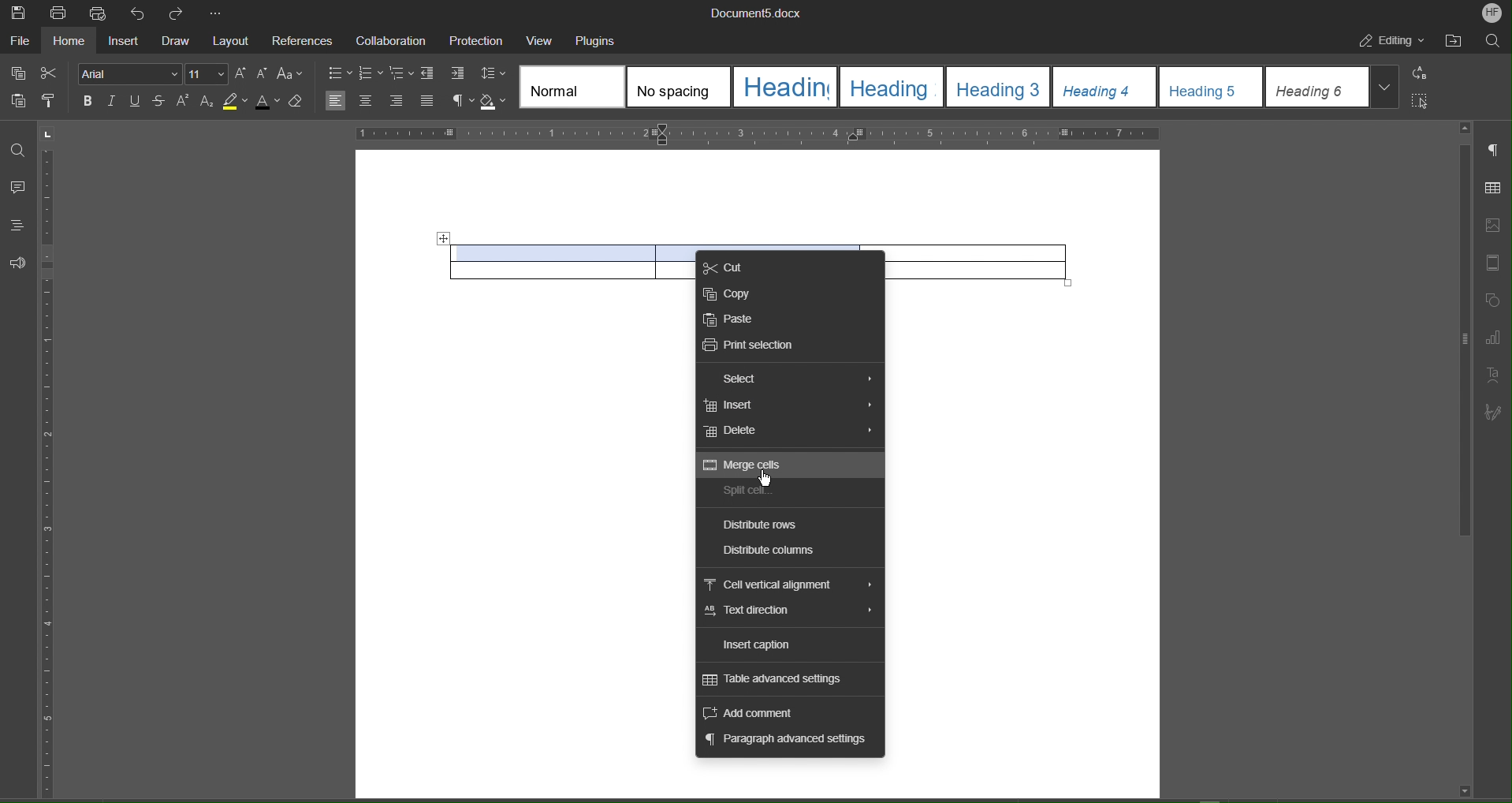 This screenshot has height=803, width=1512. What do you see at coordinates (762, 525) in the screenshot?
I see `Distribute rows` at bounding box center [762, 525].